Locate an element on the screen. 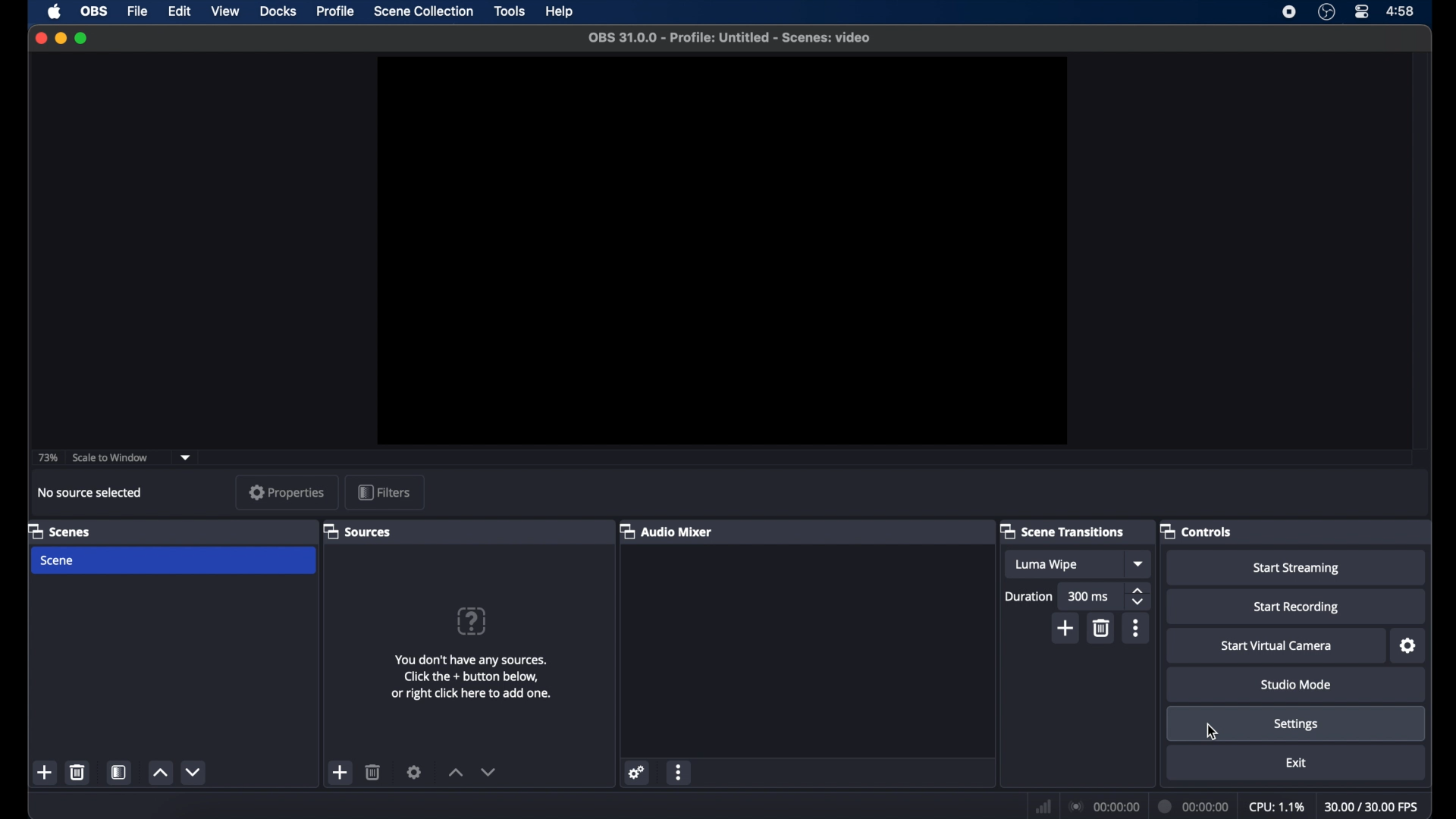  luma wipe is located at coordinates (1046, 565).